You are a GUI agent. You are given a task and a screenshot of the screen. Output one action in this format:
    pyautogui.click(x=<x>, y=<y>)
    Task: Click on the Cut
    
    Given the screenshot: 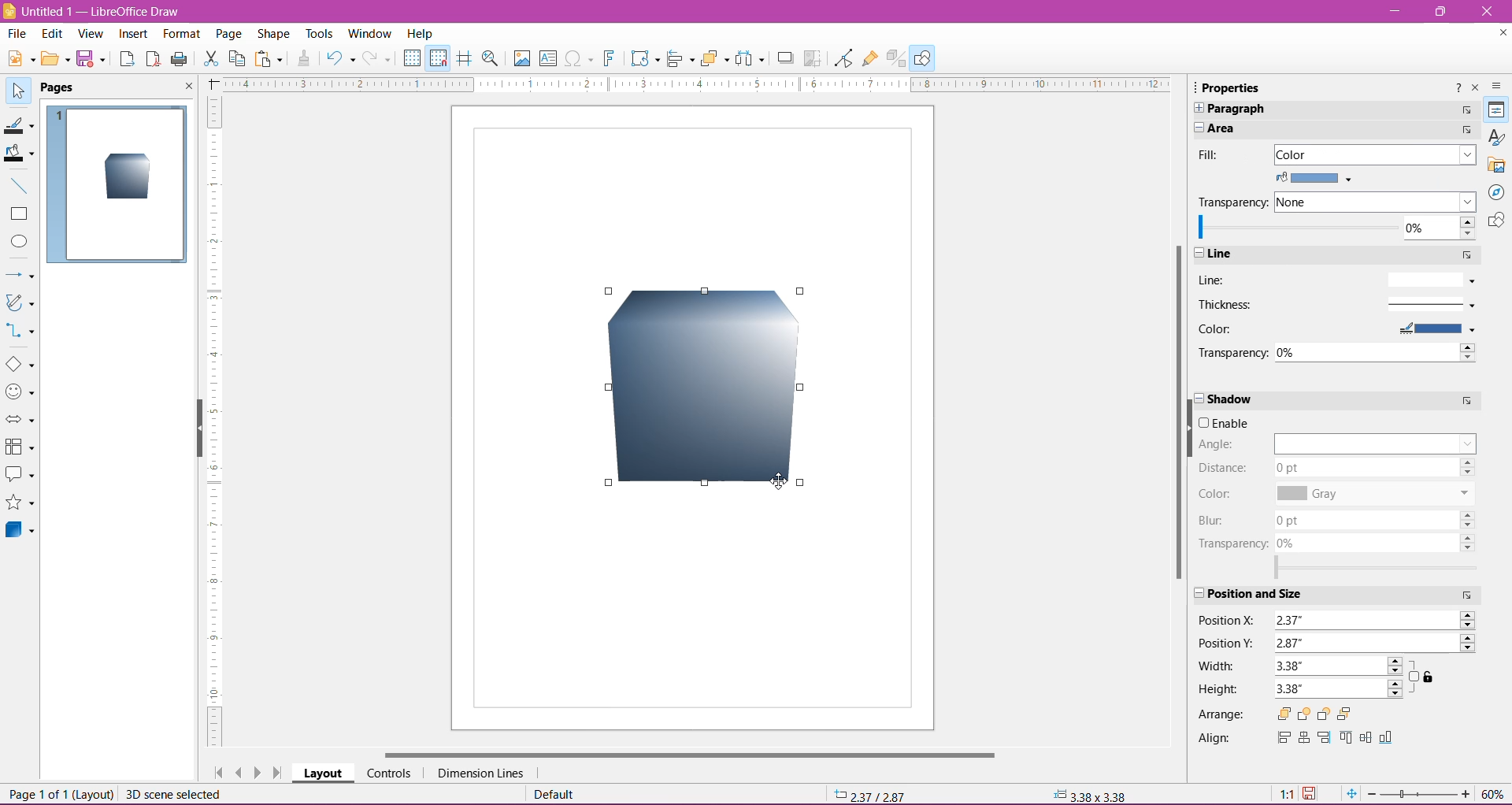 What is the action you would take?
    pyautogui.click(x=210, y=61)
    